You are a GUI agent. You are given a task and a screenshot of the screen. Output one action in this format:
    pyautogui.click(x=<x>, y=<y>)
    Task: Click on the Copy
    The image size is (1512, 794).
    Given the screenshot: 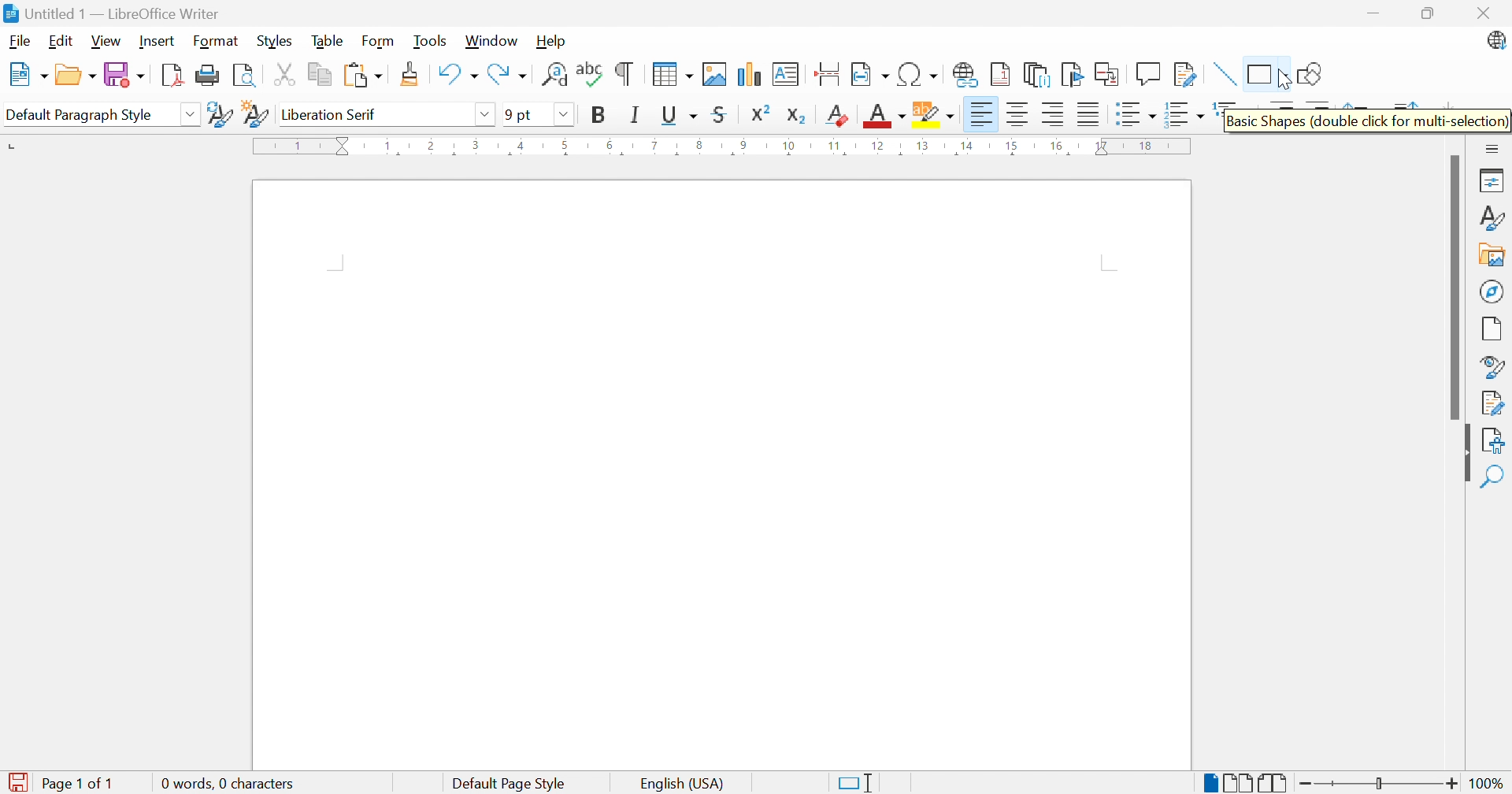 What is the action you would take?
    pyautogui.click(x=321, y=76)
    